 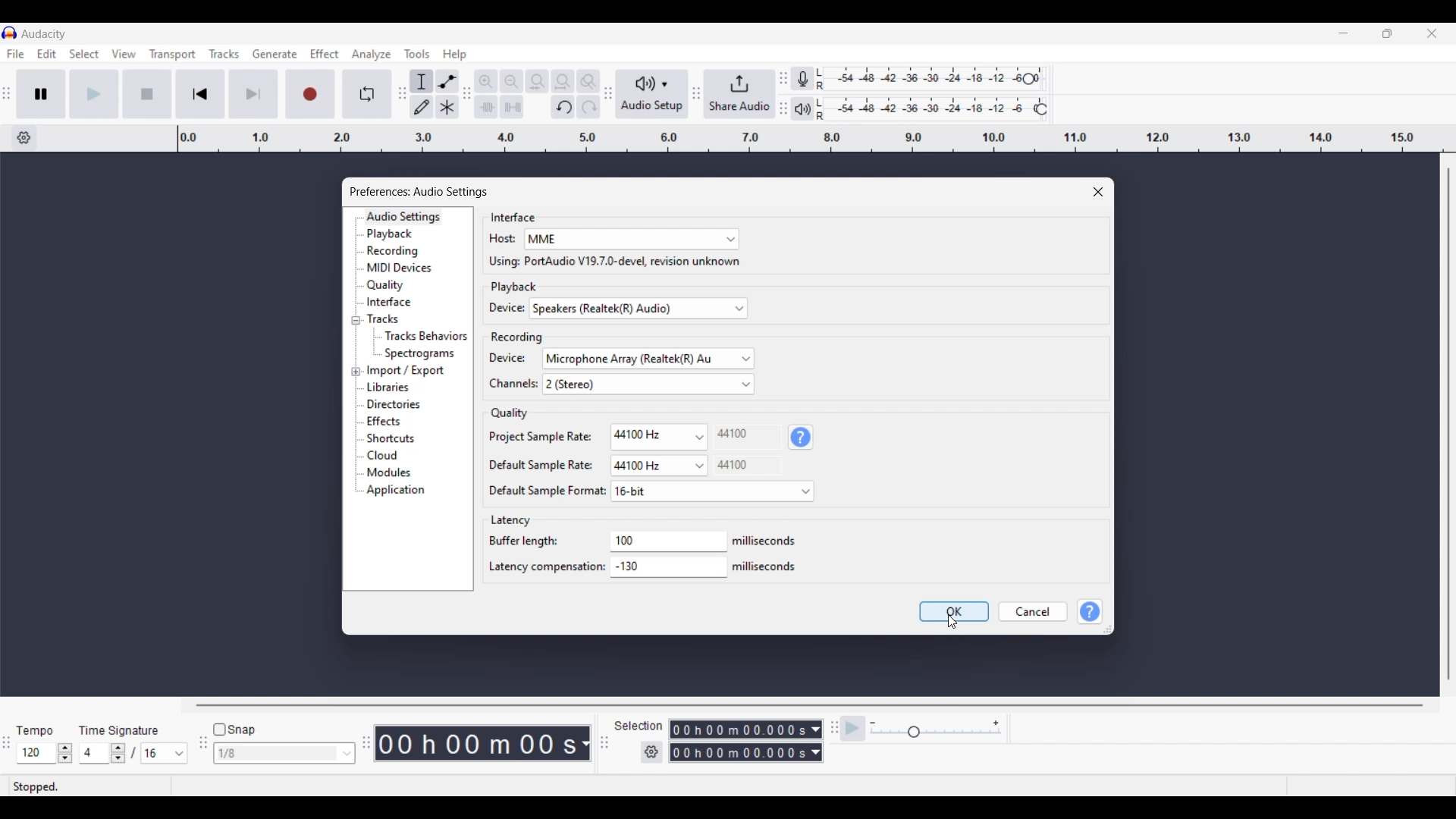 What do you see at coordinates (1041, 110) in the screenshot?
I see `Change playback level` at bounding box center [1041, 110].